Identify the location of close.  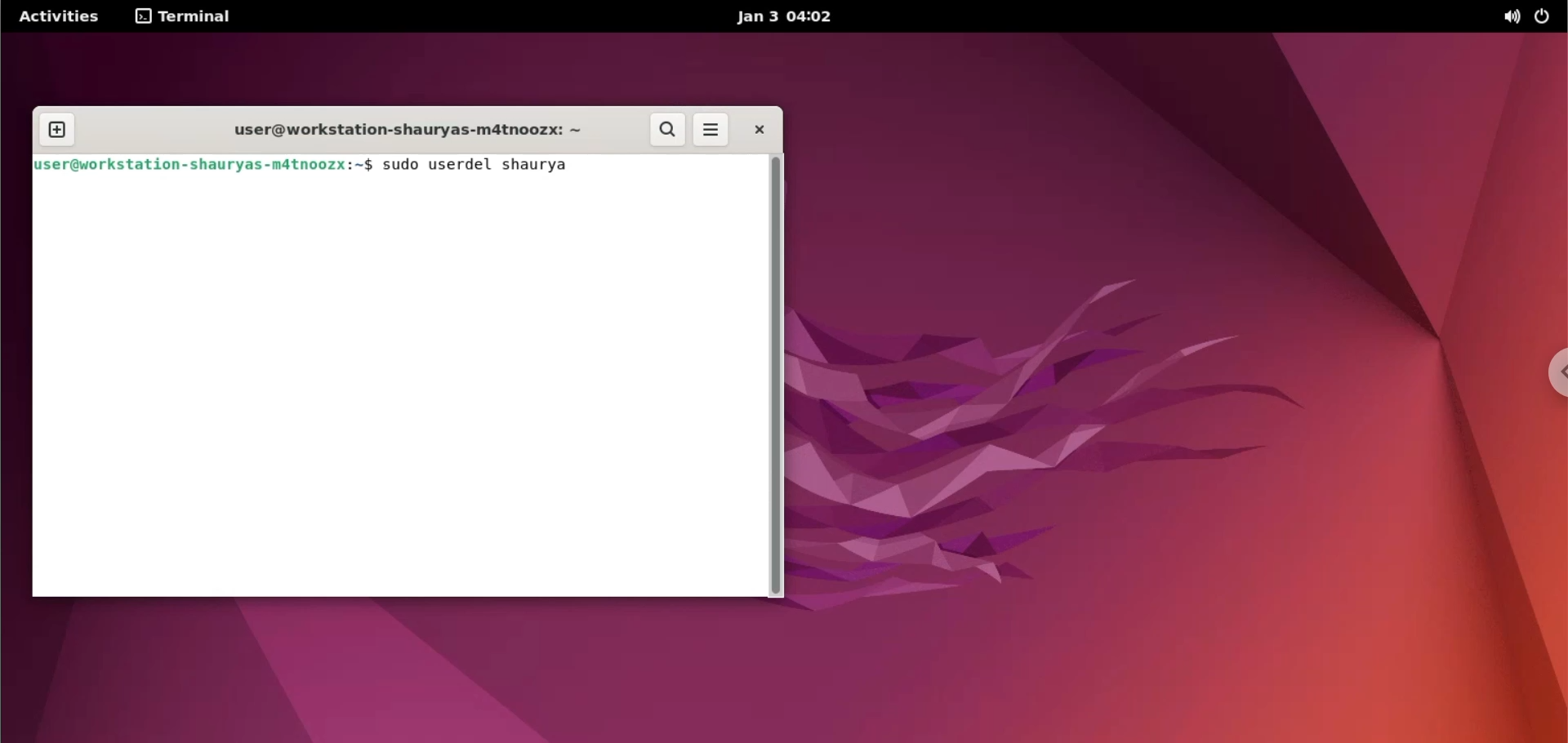
(761, 130).